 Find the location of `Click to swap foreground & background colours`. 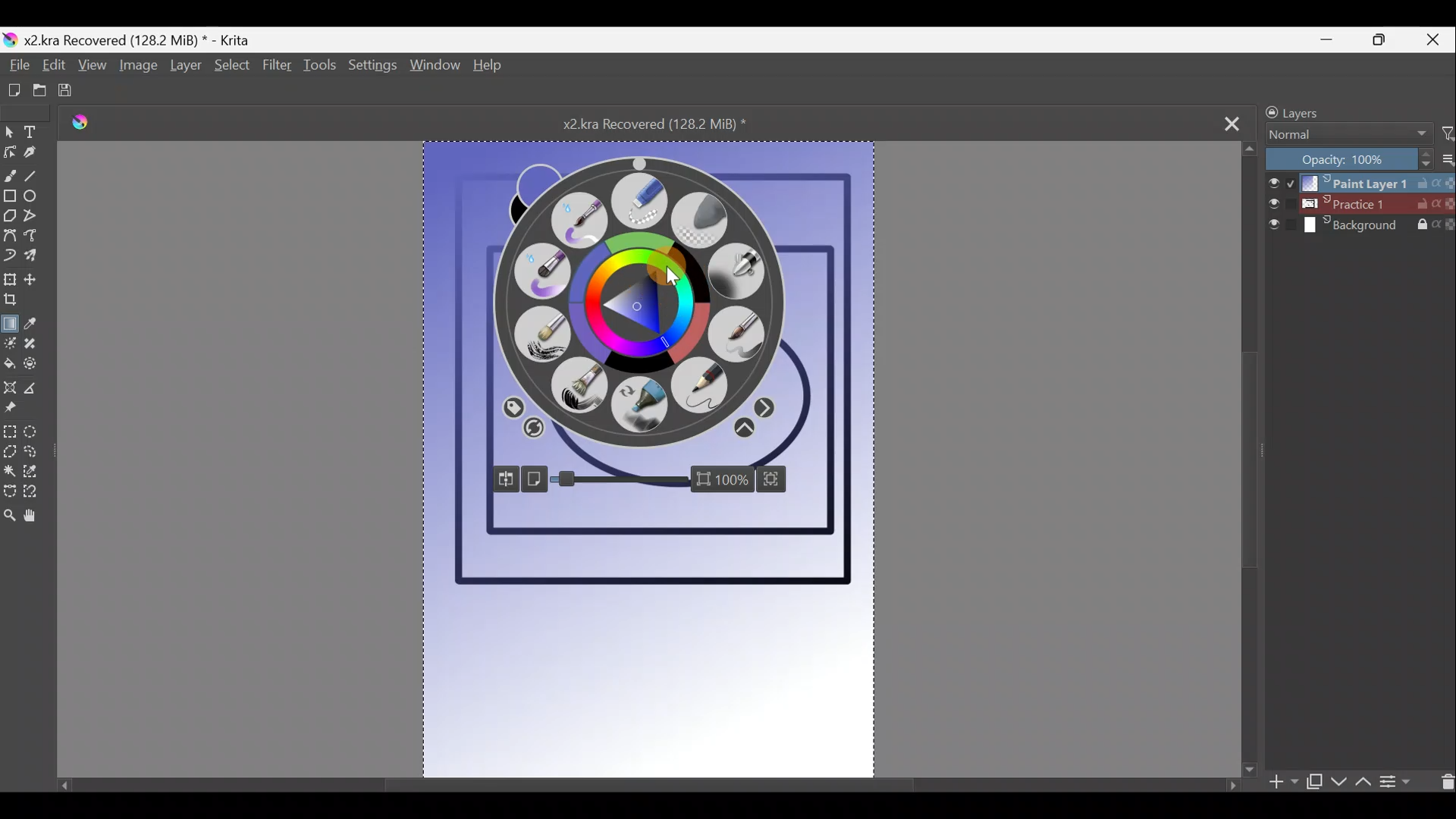

Click to swap foreground & background colours is located at coordinates (517, 187).